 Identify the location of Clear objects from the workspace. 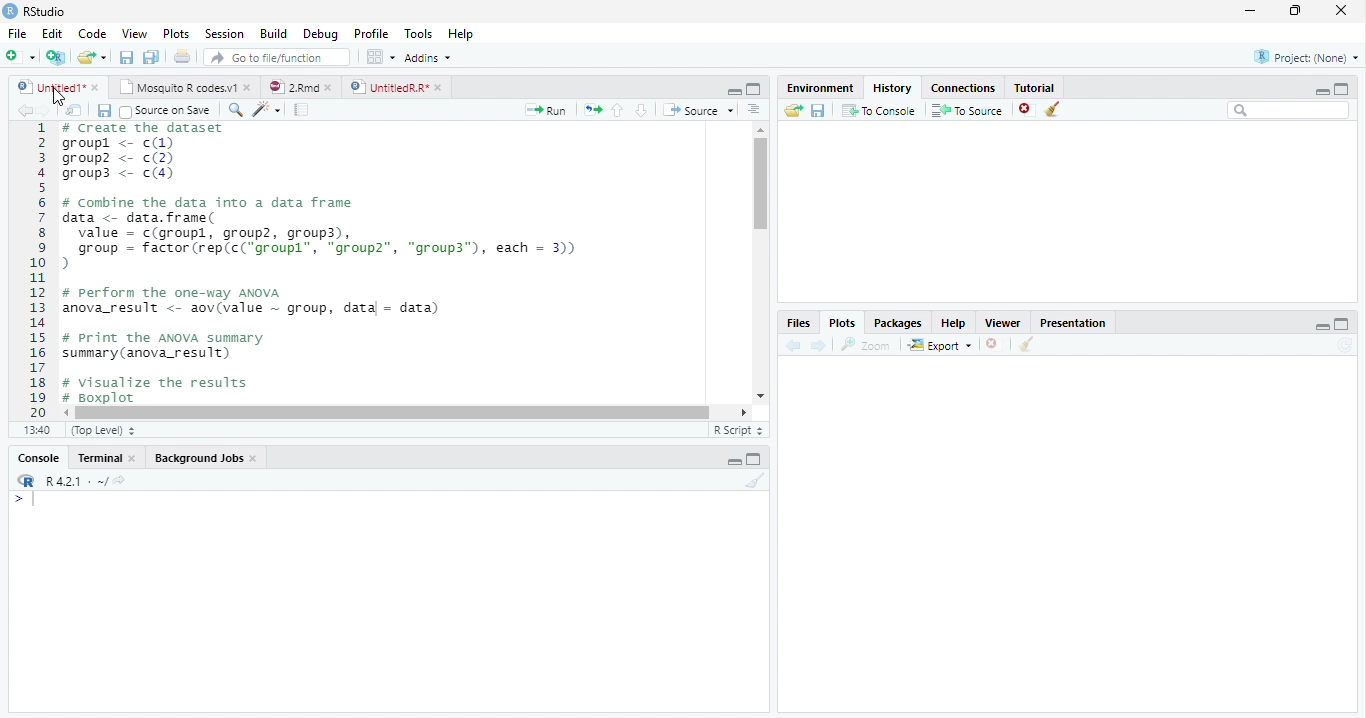
(1051, 106).